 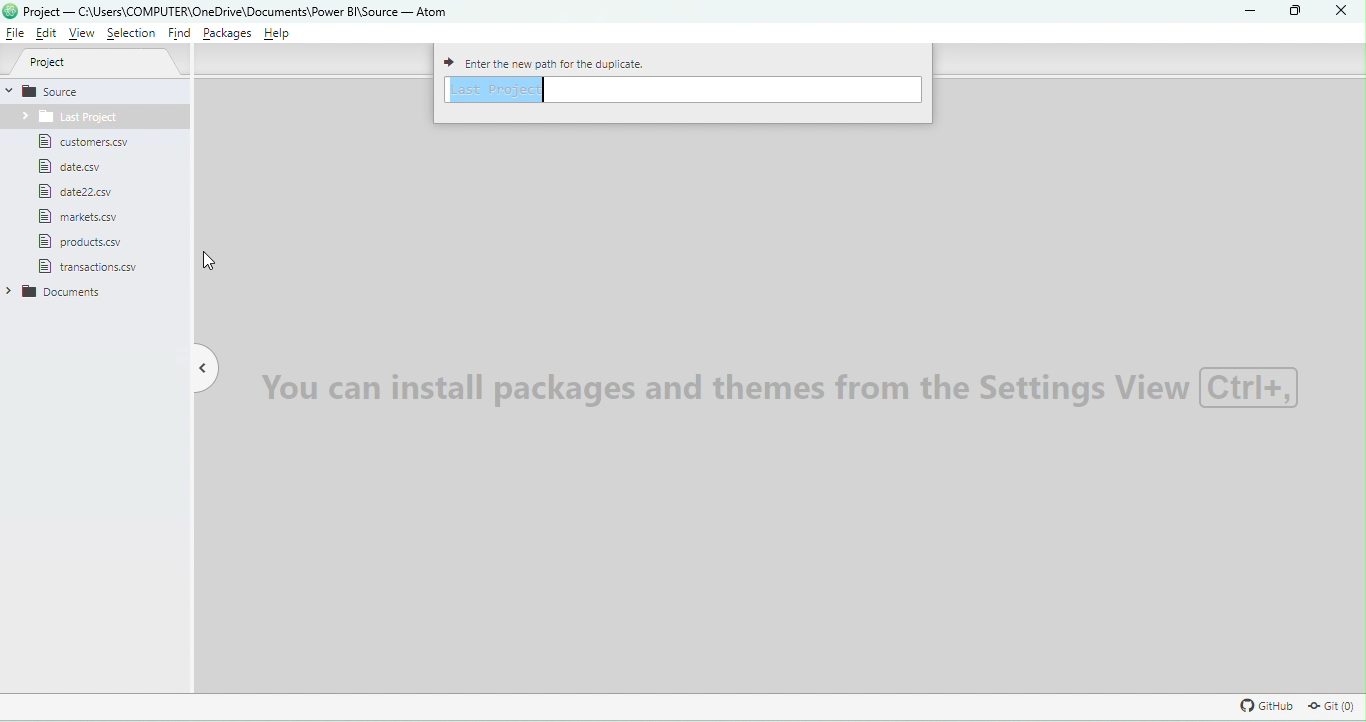 I want to click on Toggle tree view, so click(x=202, y=366).